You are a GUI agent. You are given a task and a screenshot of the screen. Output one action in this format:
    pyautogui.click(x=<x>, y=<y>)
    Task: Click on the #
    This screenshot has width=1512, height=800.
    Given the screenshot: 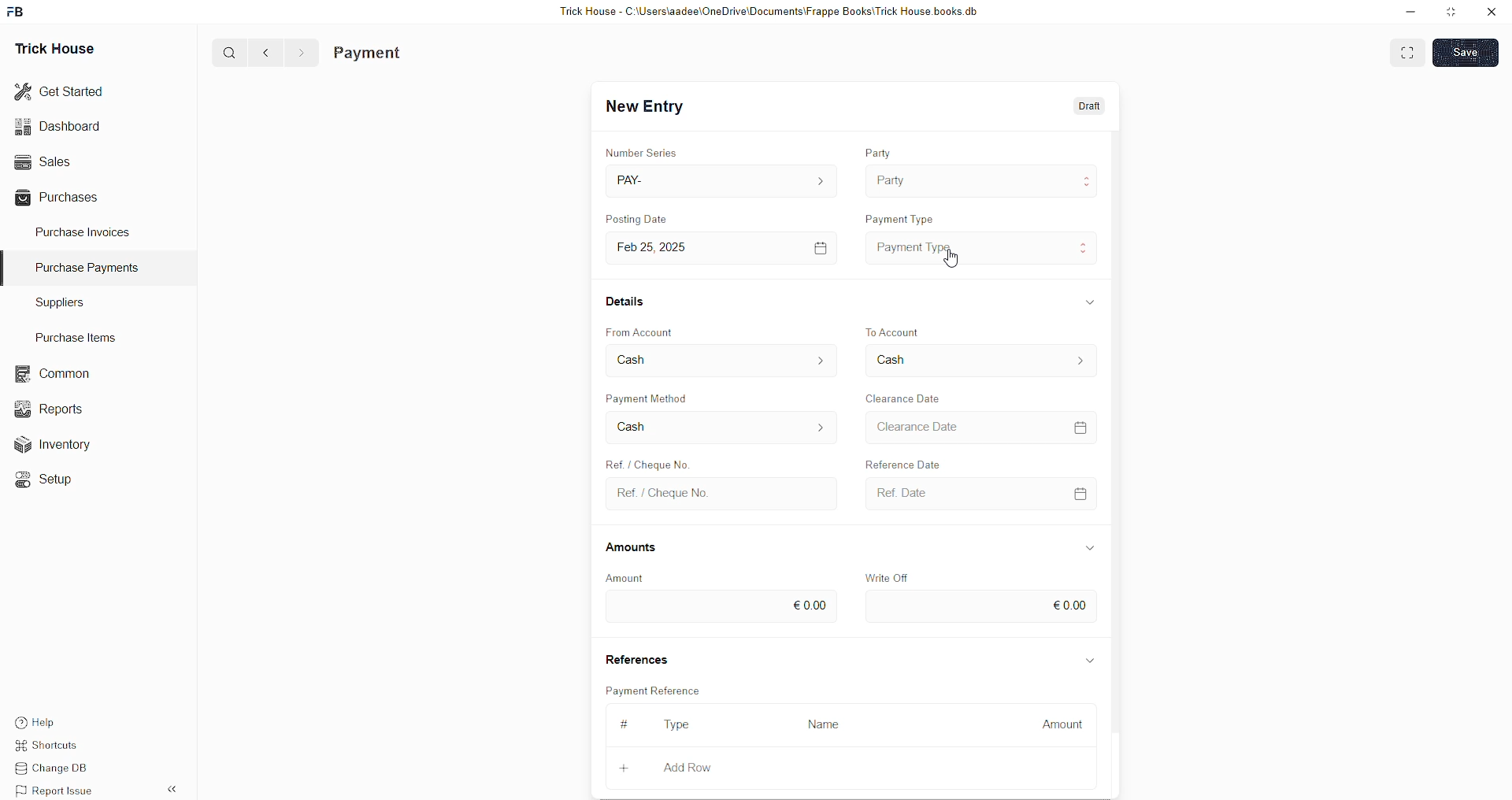 What is the action you would take?
    pyautogui.click(x=622, y=724)
    